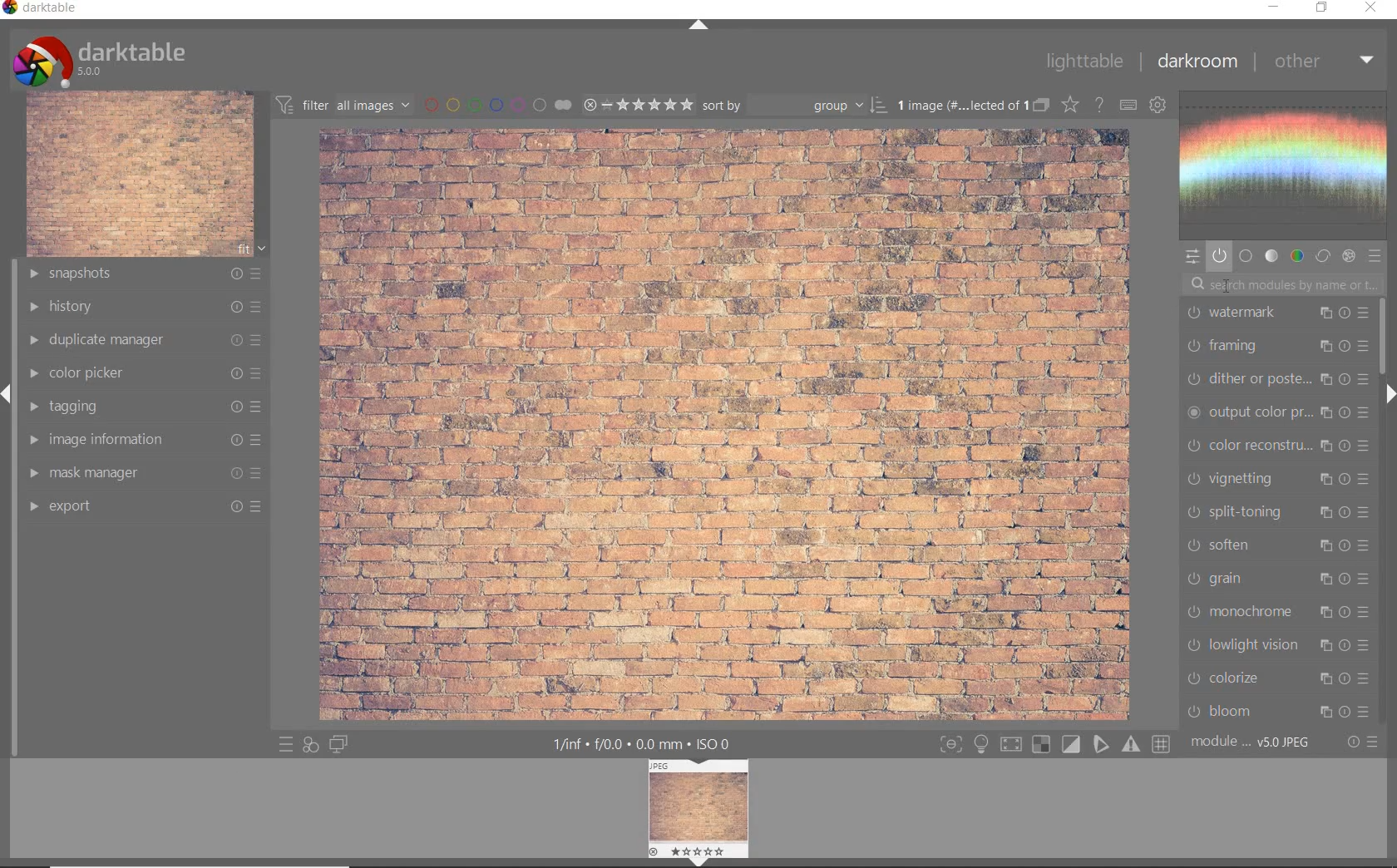 This screenshot has width=1397, height=868. What do you see at coordinates (144, 439) in the screenshot?
I see `image information` at bounding box center [144, 439].